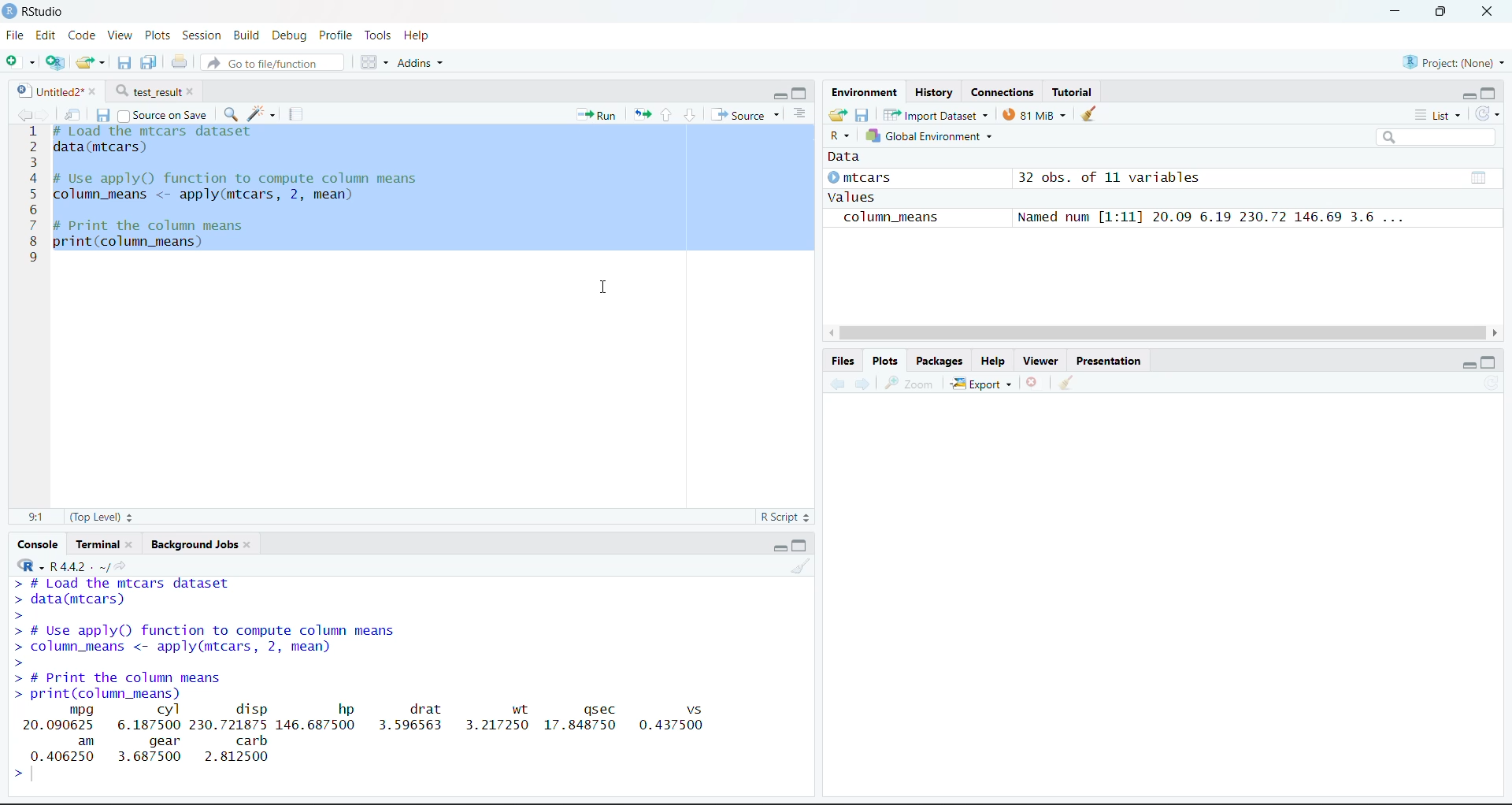  Describe the element at coordinates (1437, 114) in the screenshot. I see `List` at that location.